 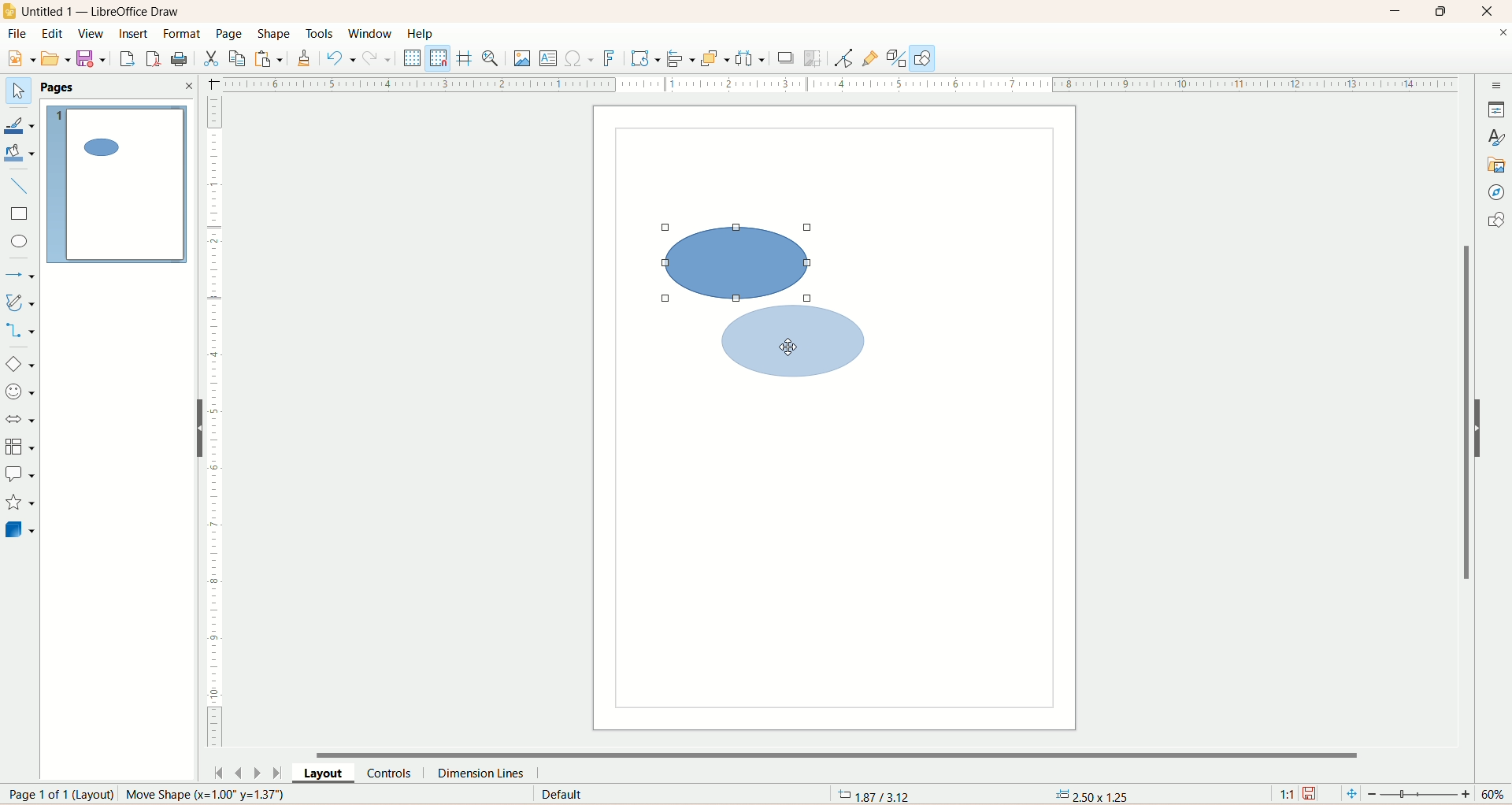 What do you see at coordinates (154, 58) in the screenshot?
I see `export directly as PDF` at bounding box center [154, 58].